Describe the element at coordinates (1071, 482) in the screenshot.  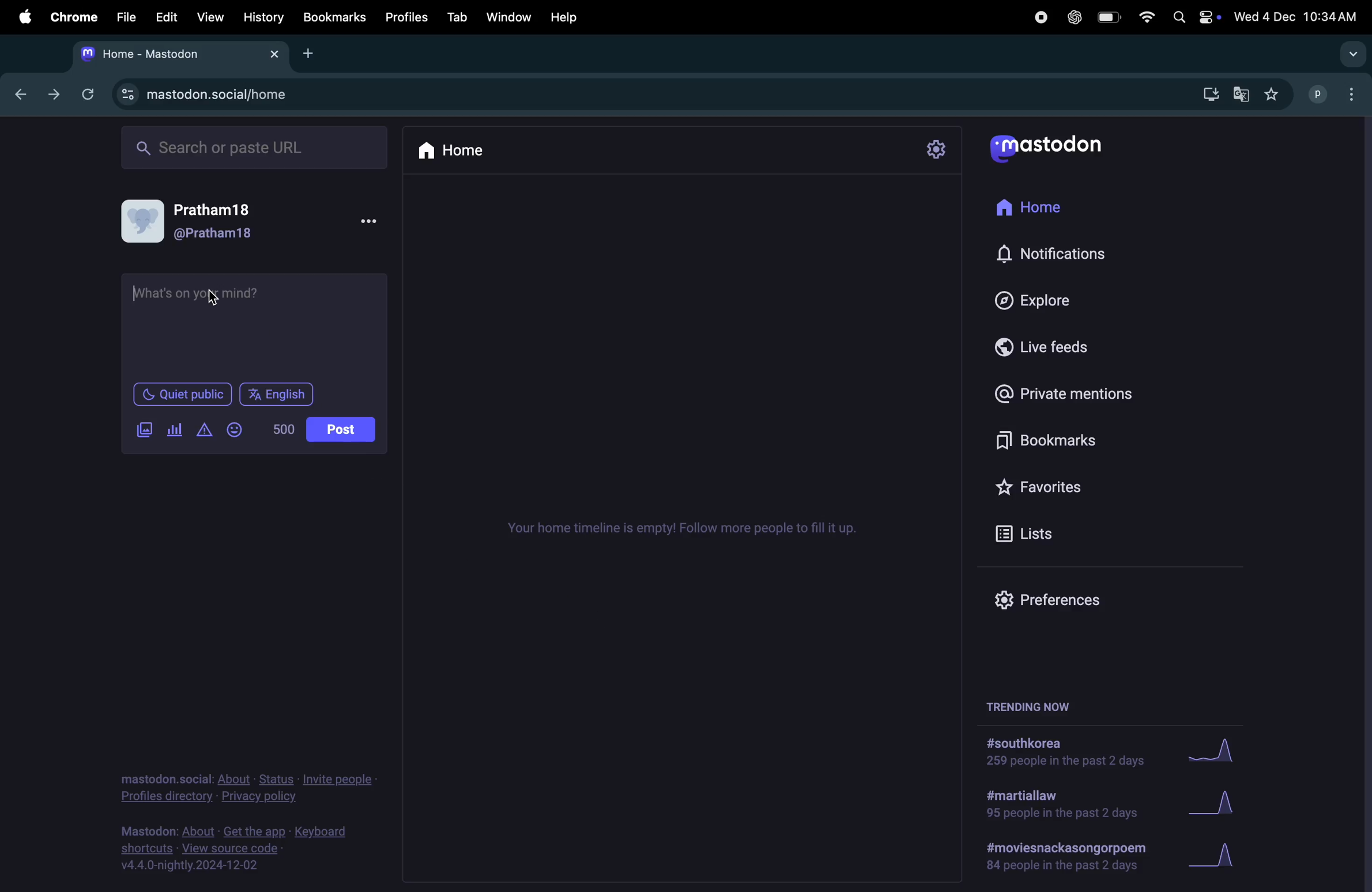
I see `Favourites` at that location.